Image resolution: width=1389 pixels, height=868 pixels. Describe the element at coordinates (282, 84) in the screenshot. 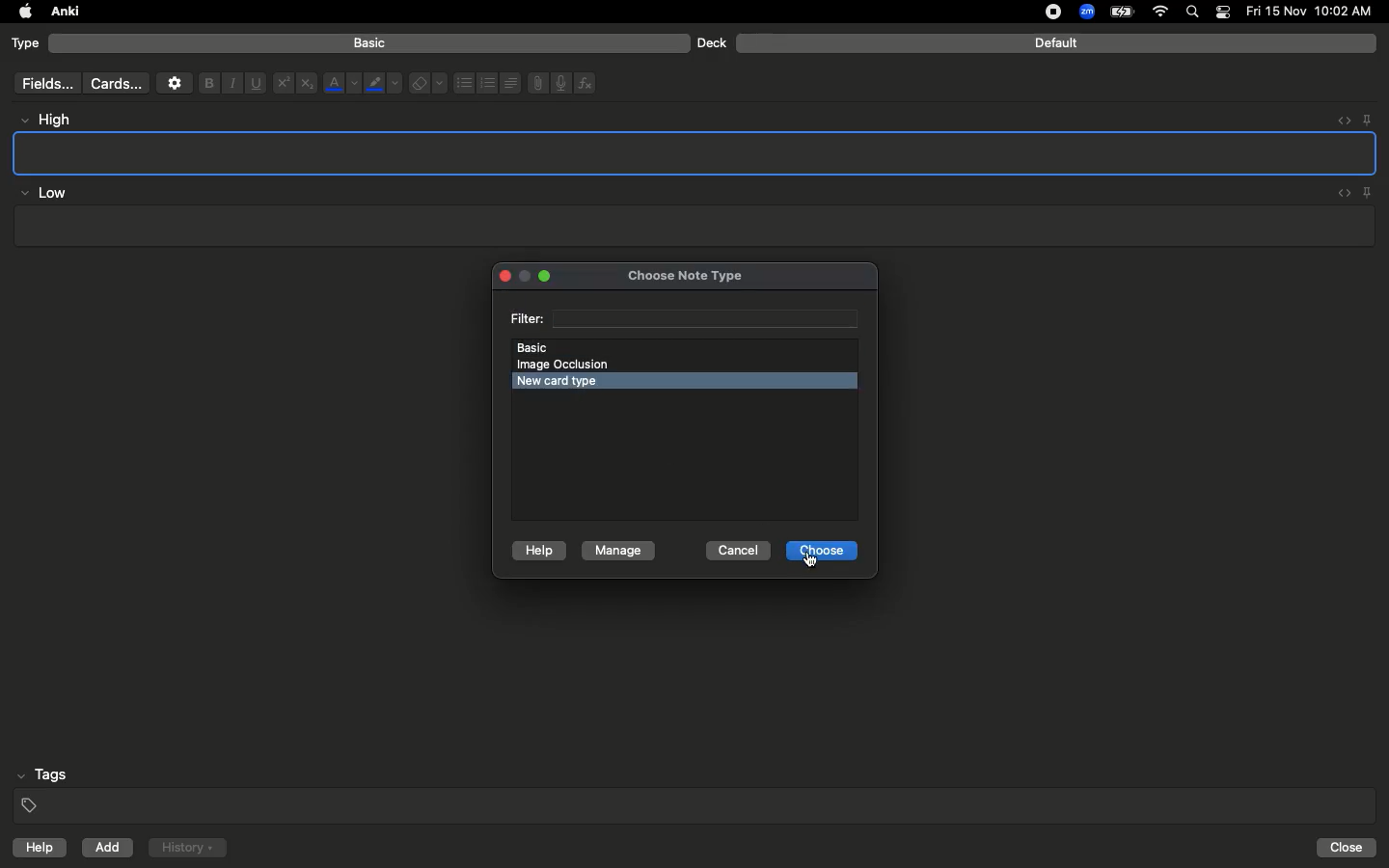

I see `Superscript` at that location.